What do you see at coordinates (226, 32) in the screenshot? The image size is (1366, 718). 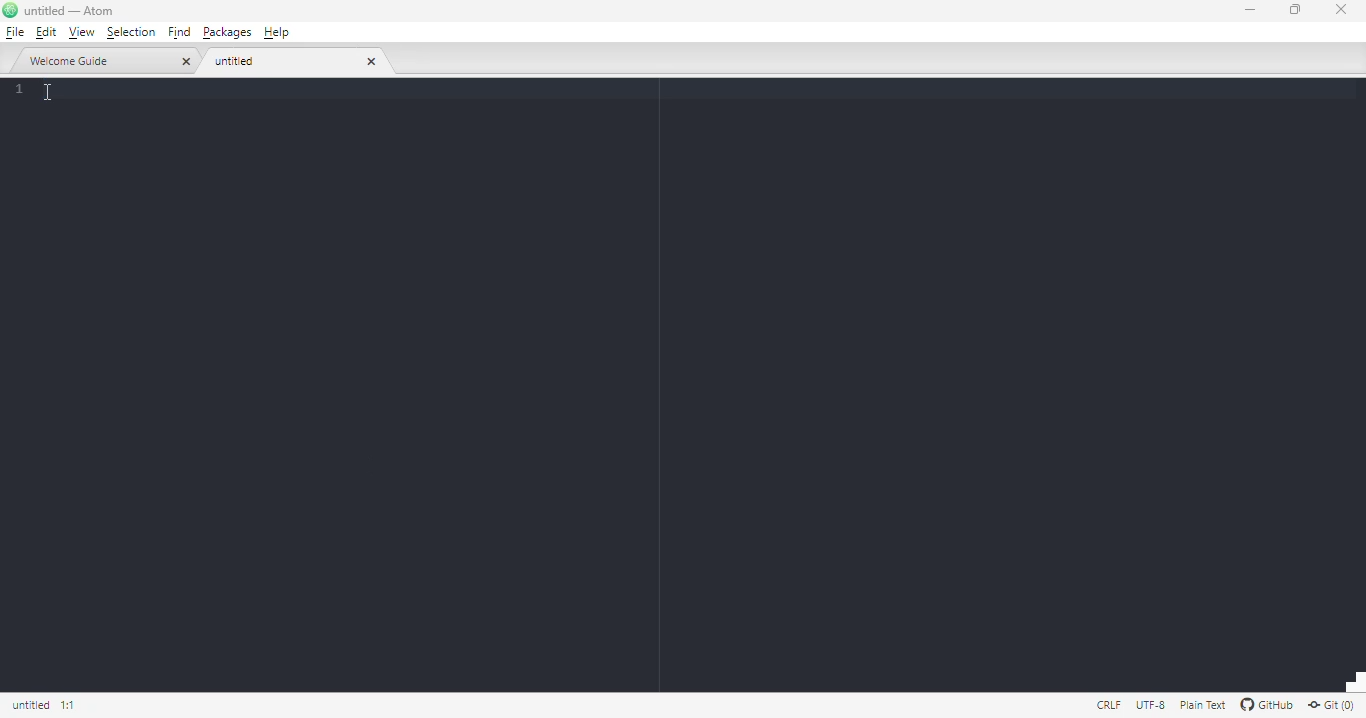 I see `packages` at bounding box center [226, 32].